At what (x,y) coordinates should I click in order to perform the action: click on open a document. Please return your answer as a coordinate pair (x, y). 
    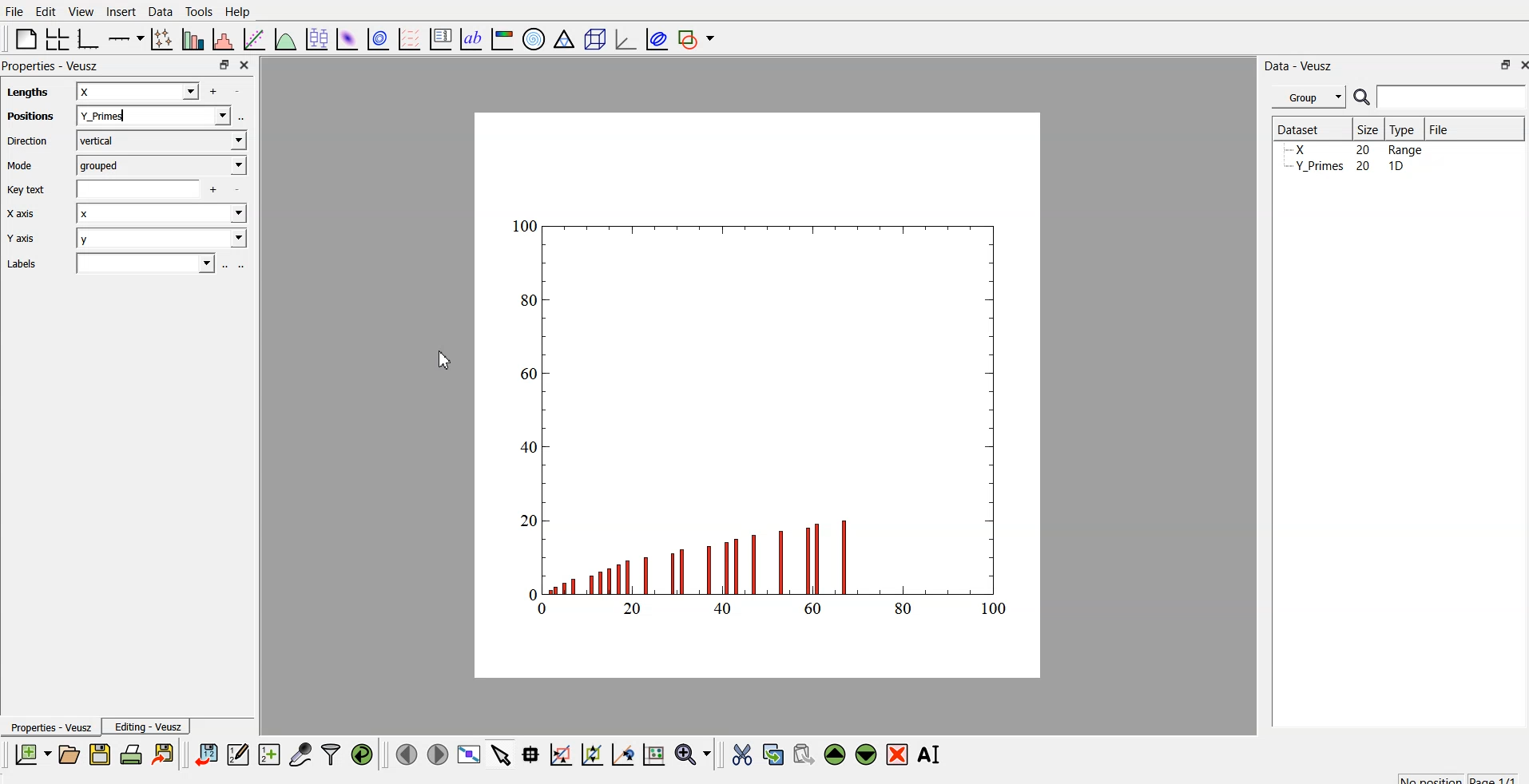
    Looking at the image, I should click on (68, 754).